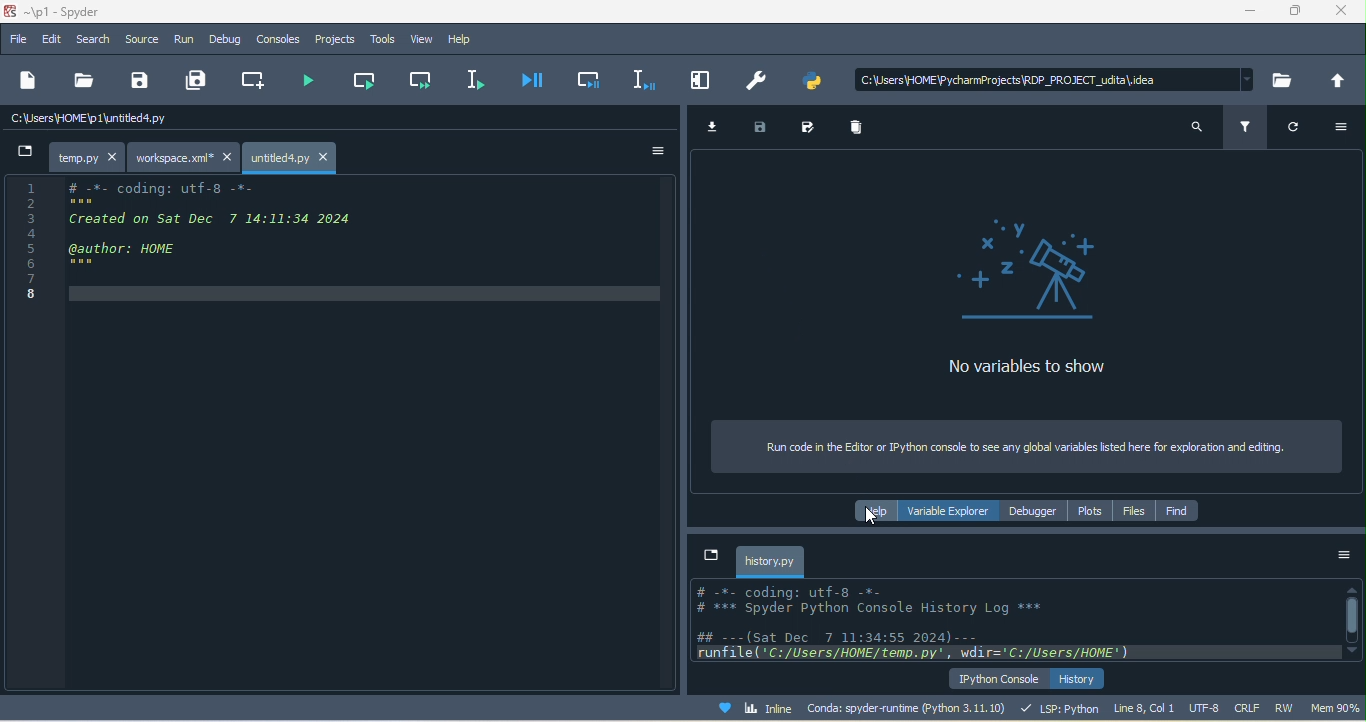  What do you see at coordinates (1004, 622) in the screenshot?
I see `text` at bounding box center [1004, 622].